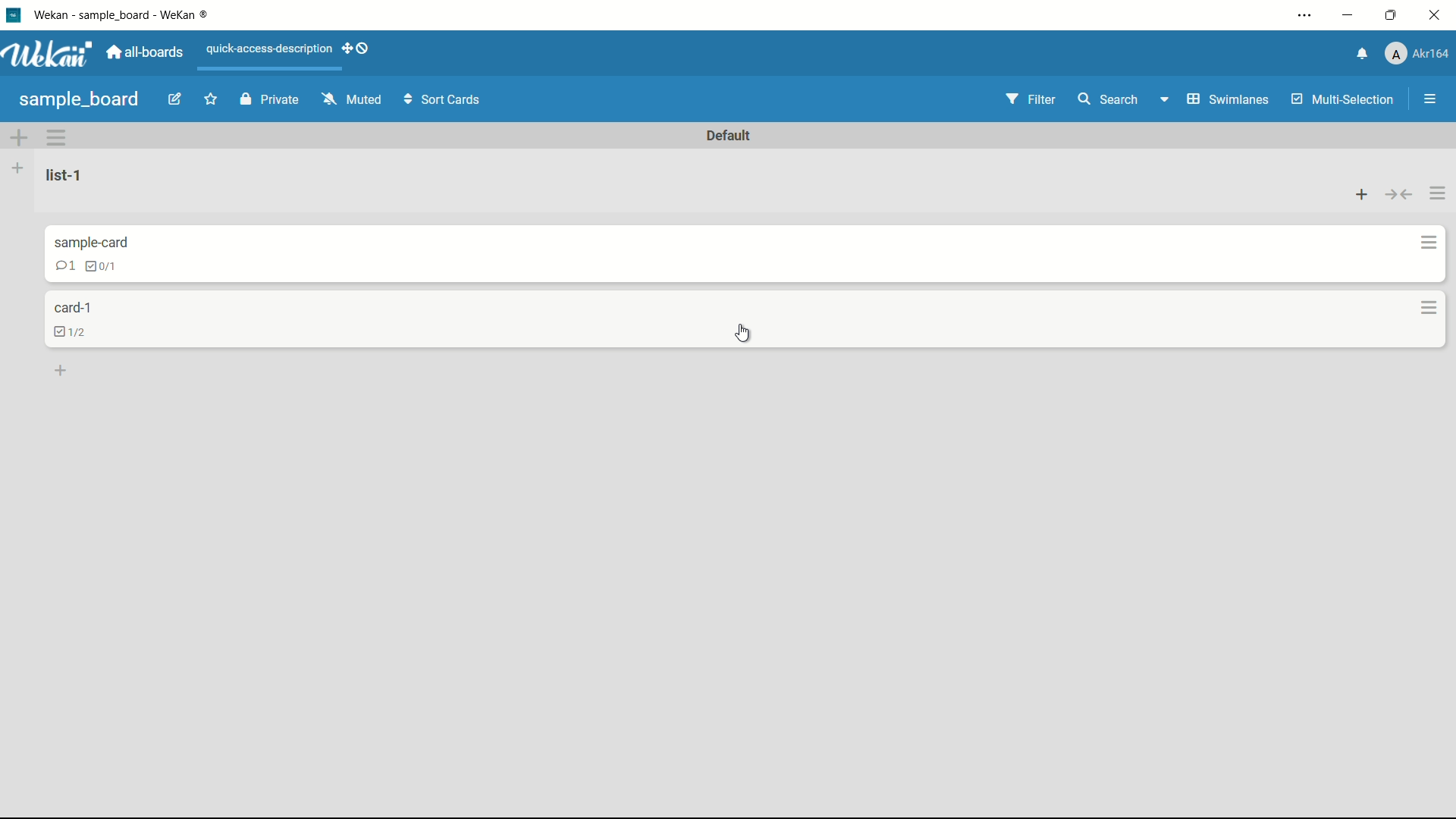 The image size is (1456, 819). What do you see at coordinates (145, 53) in the screenshot?
I see `all boards` at bounding box center [145, 53].